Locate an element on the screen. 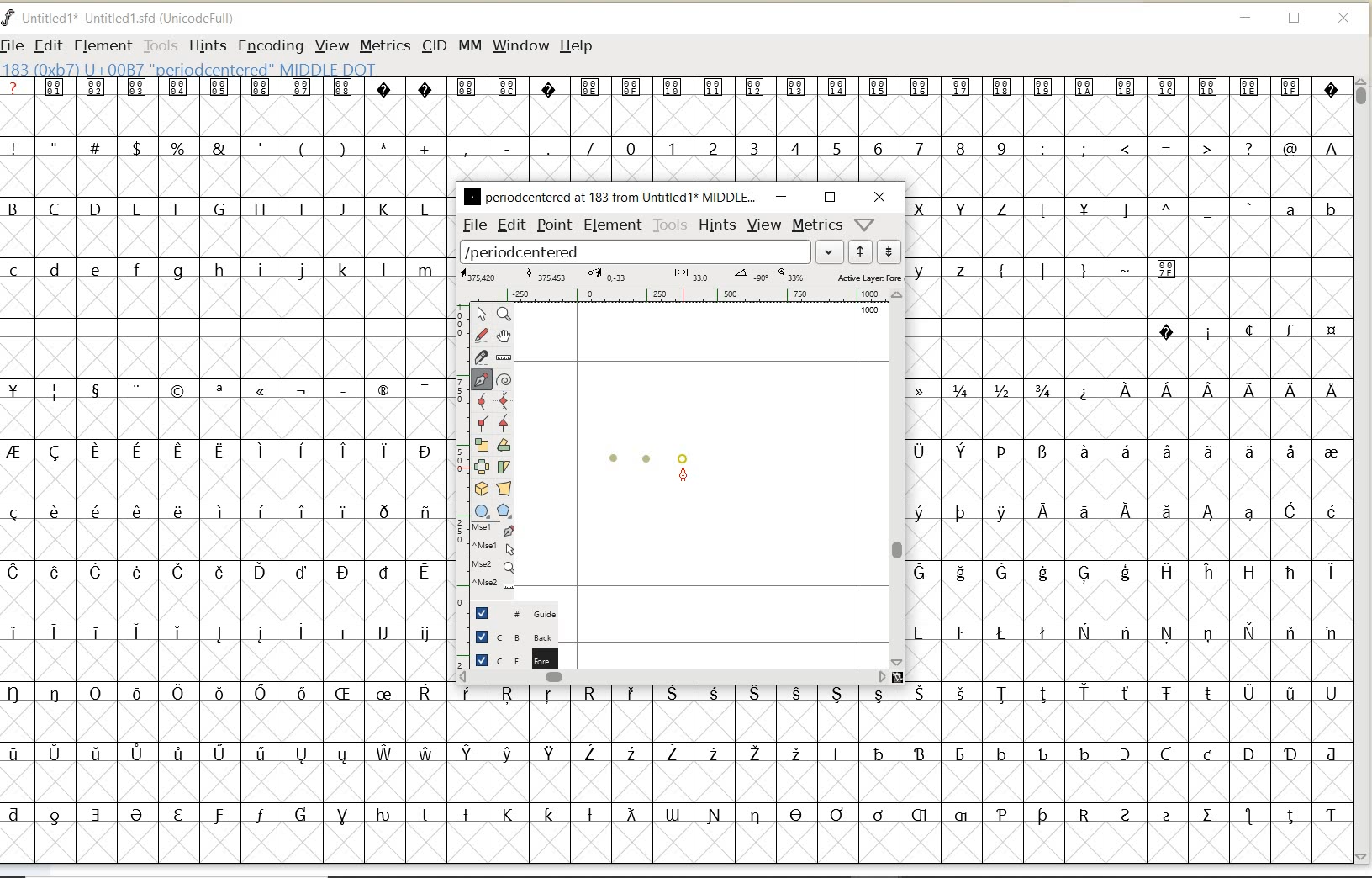  scale is located at coordinates (458, 443).